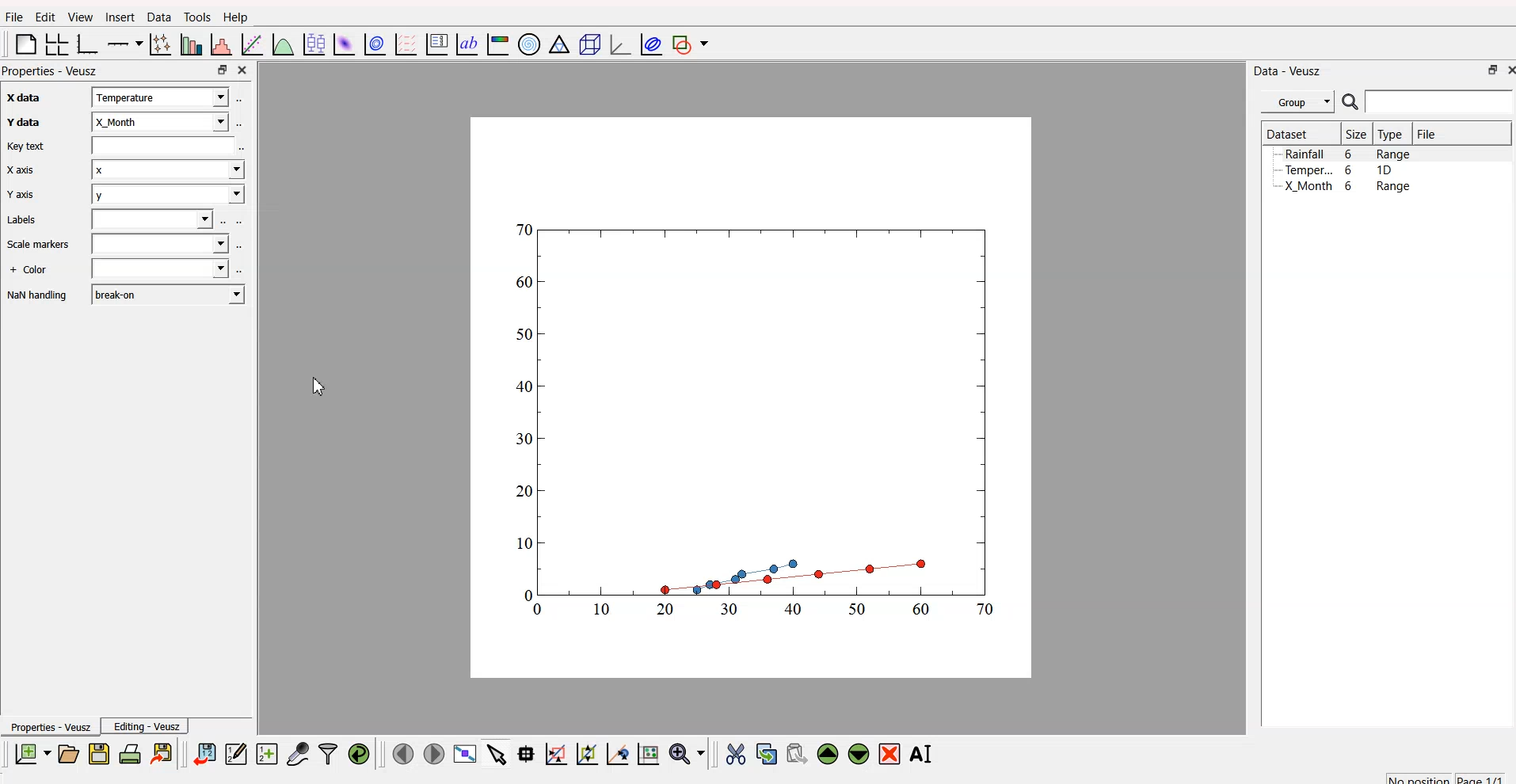 This screenshot has width=1516, height=784. I want to click on search icon, so click(1350, 102).